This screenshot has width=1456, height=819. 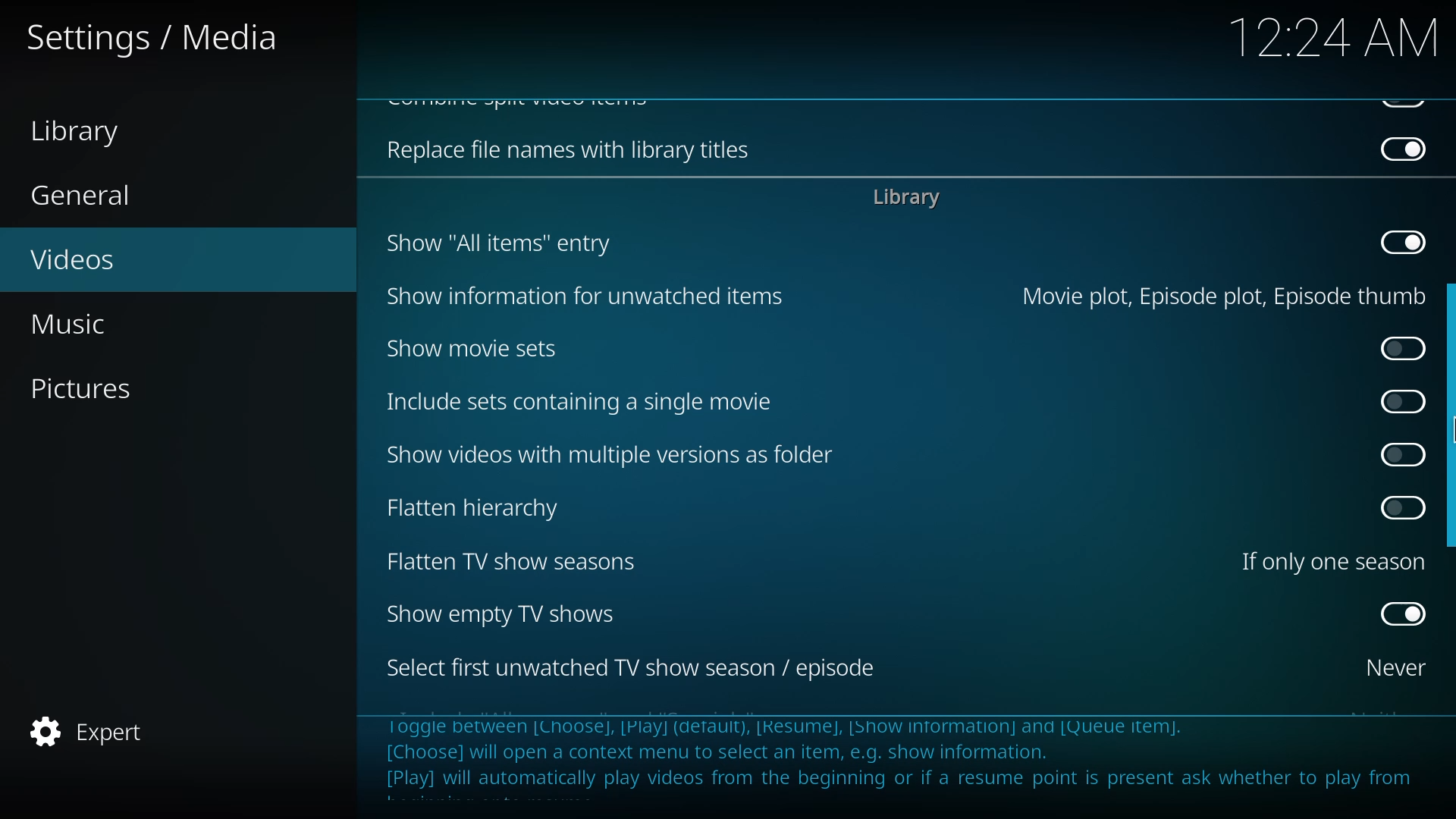 I want to click on music, so click(x=89, y=323).